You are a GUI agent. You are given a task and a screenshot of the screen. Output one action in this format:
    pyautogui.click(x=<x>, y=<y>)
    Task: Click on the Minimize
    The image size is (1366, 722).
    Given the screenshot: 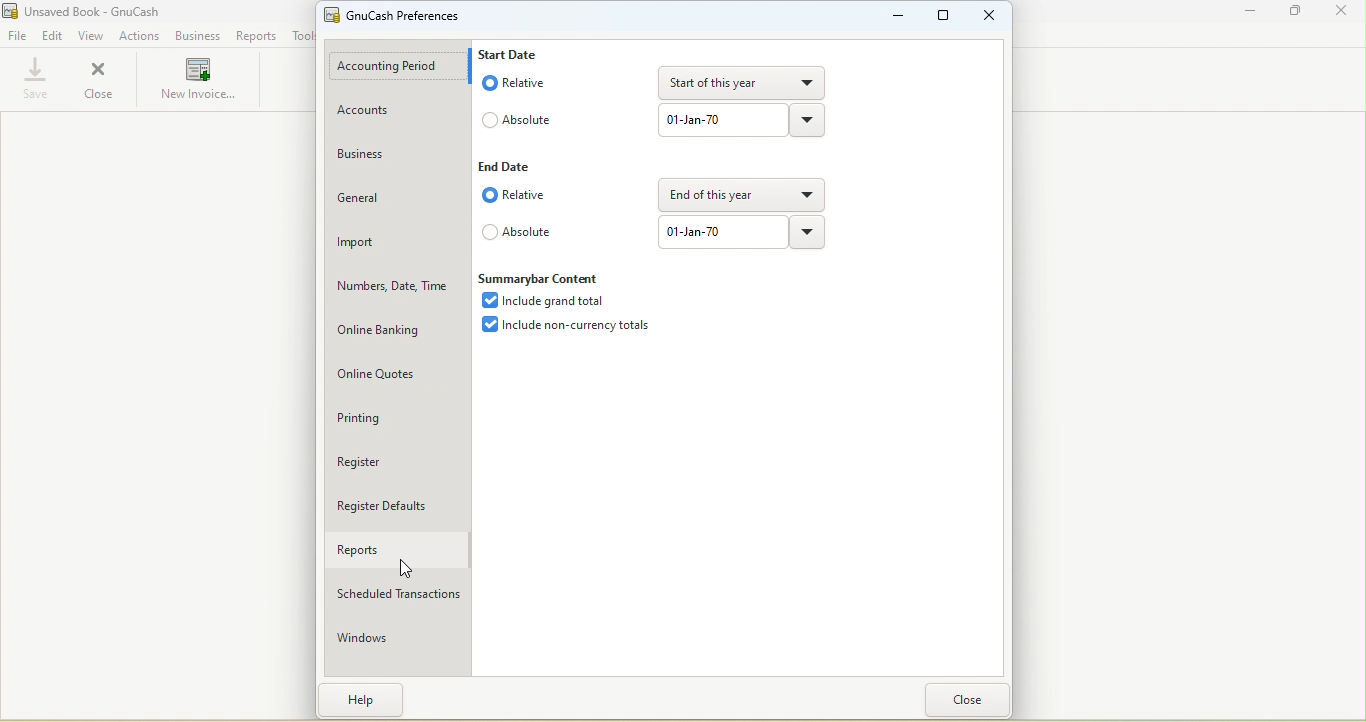 What is the action you would take?
    pyautogui.click(x=1252, y=15)
    